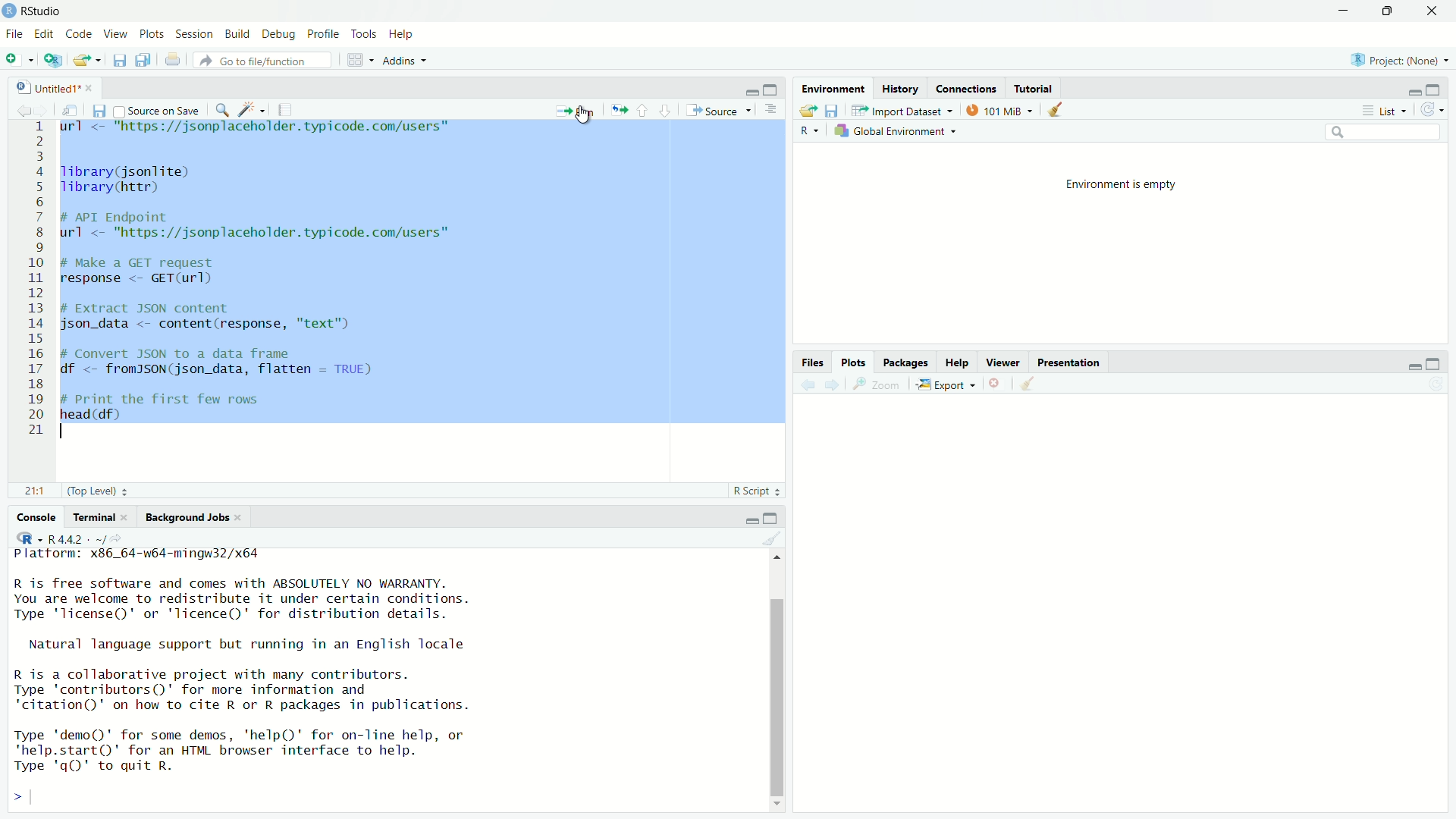  What do you see at coordinates (877, 386) in the screenshot?
I see `Zoom` at bounding box center [877, 386].